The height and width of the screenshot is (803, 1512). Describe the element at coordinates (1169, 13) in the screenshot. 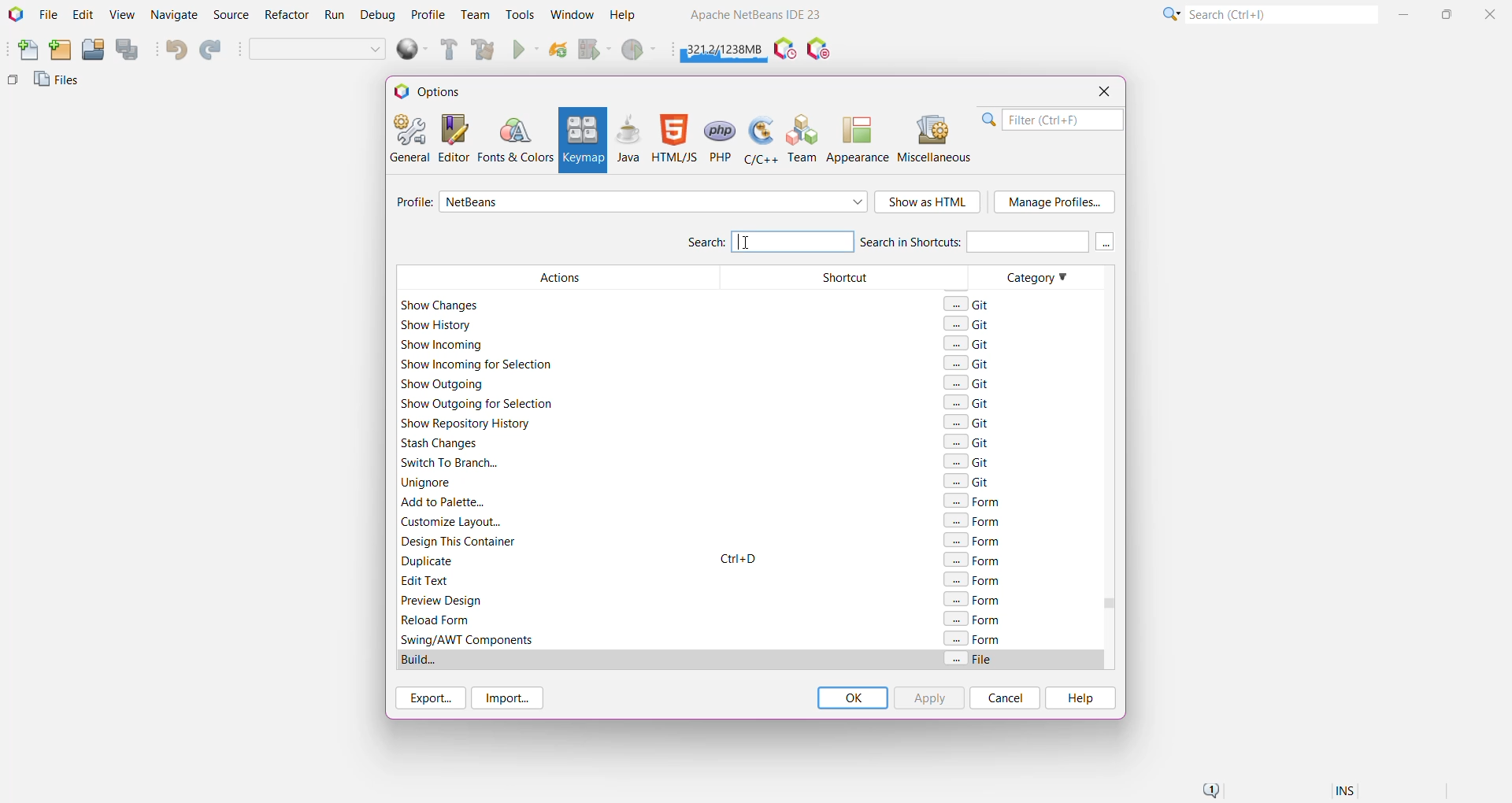

I see `Click or press Shift+F10 for Category Selection` at that location.